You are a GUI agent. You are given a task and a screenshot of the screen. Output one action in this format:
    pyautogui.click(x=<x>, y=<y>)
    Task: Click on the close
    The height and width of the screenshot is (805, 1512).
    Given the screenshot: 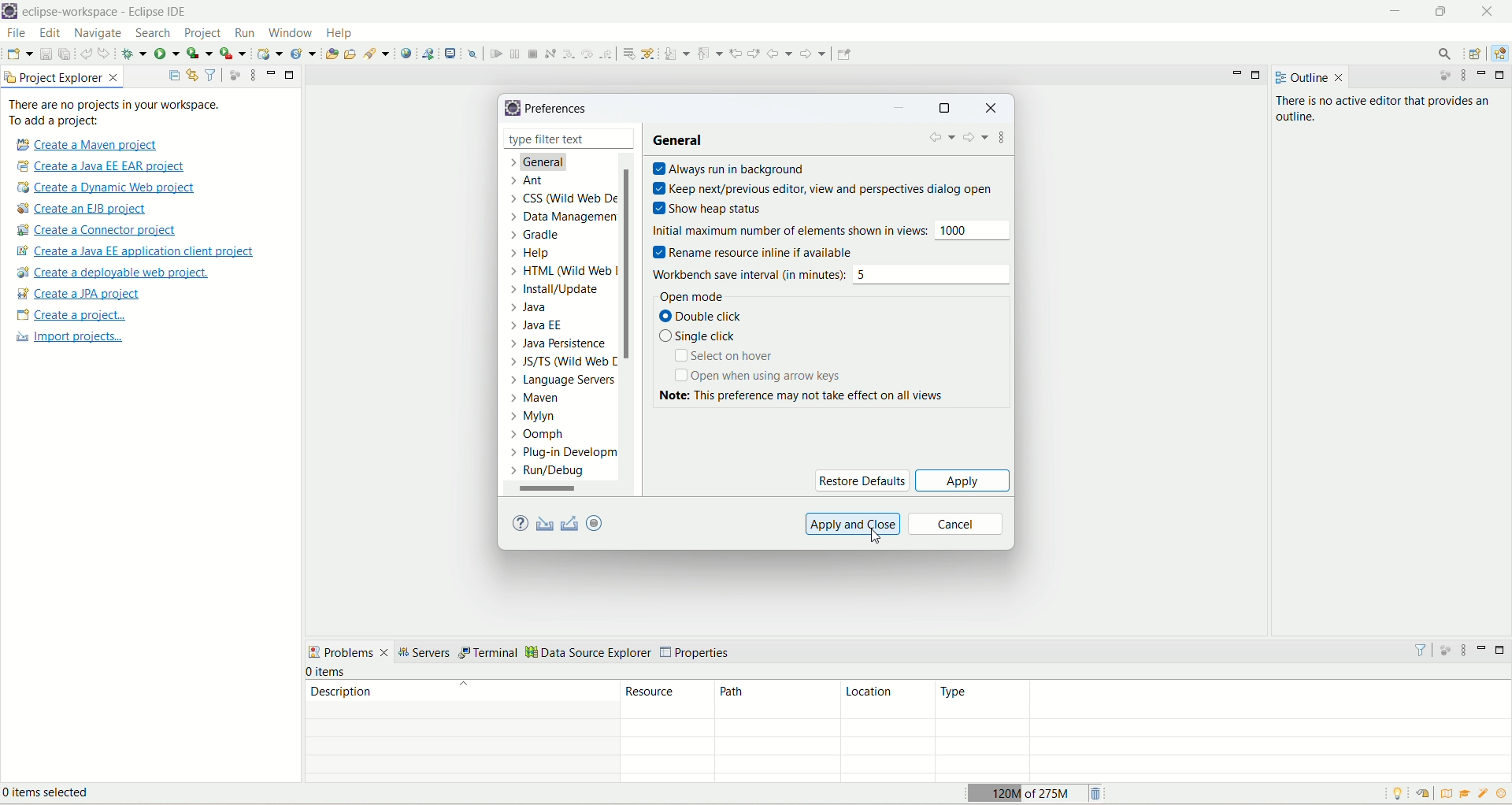 What is the action you would take?
    pyautogui.click(x=624, y=138)
    